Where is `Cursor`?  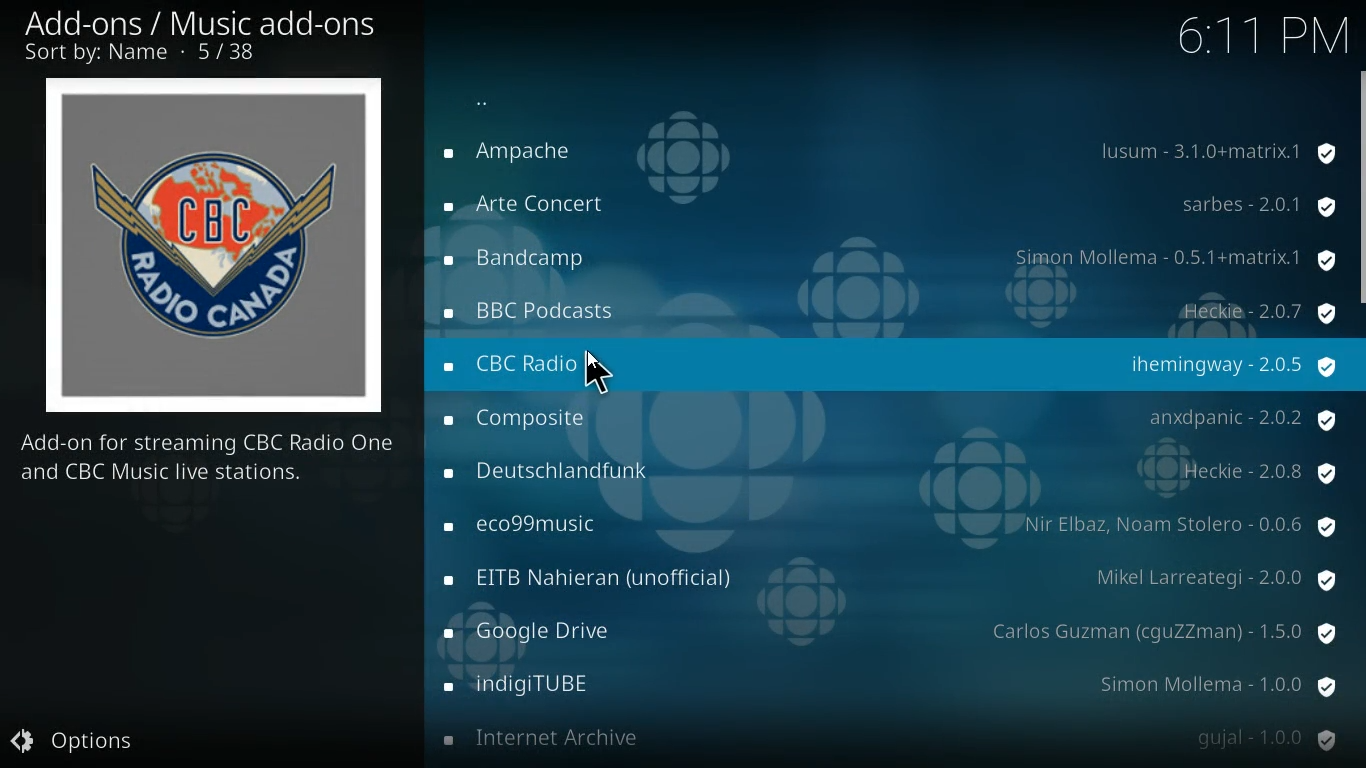
Cursor is located at coordinates (598, 374).